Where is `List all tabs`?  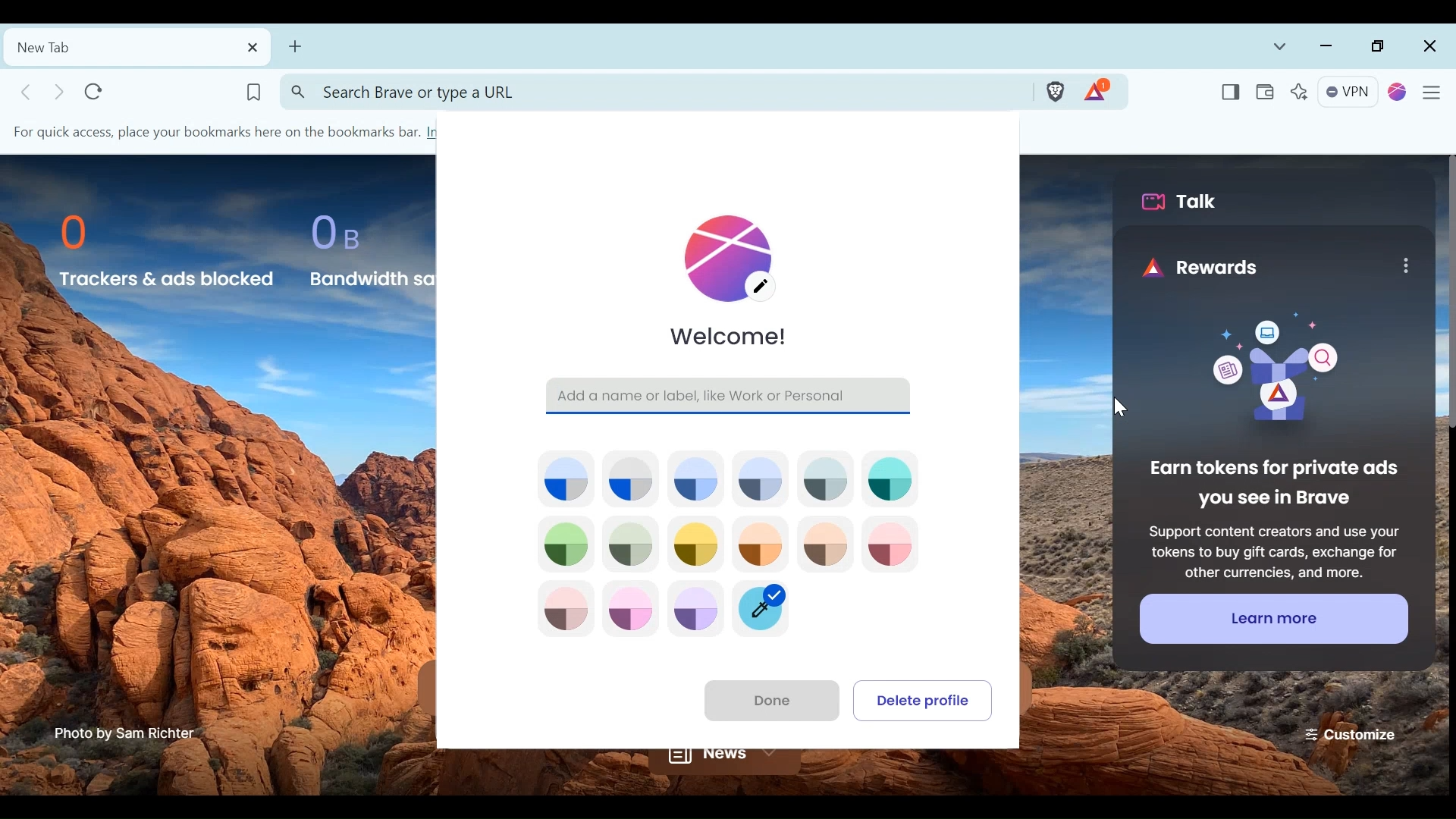 List all tabs is located at coordinates (1280, 47).